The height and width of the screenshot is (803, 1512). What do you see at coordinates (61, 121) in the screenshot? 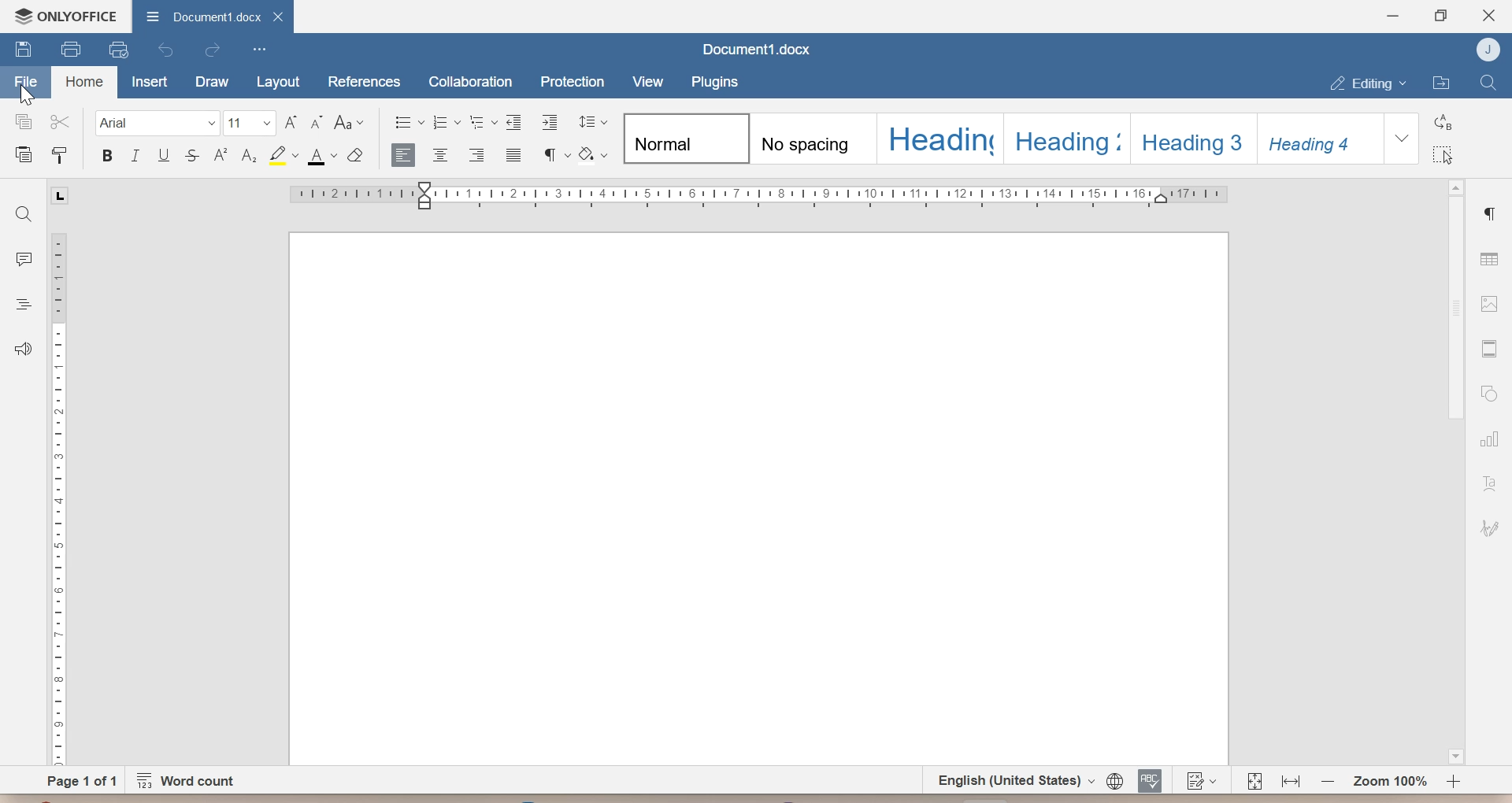
I see `Cut` at bounding box center [61, 121].